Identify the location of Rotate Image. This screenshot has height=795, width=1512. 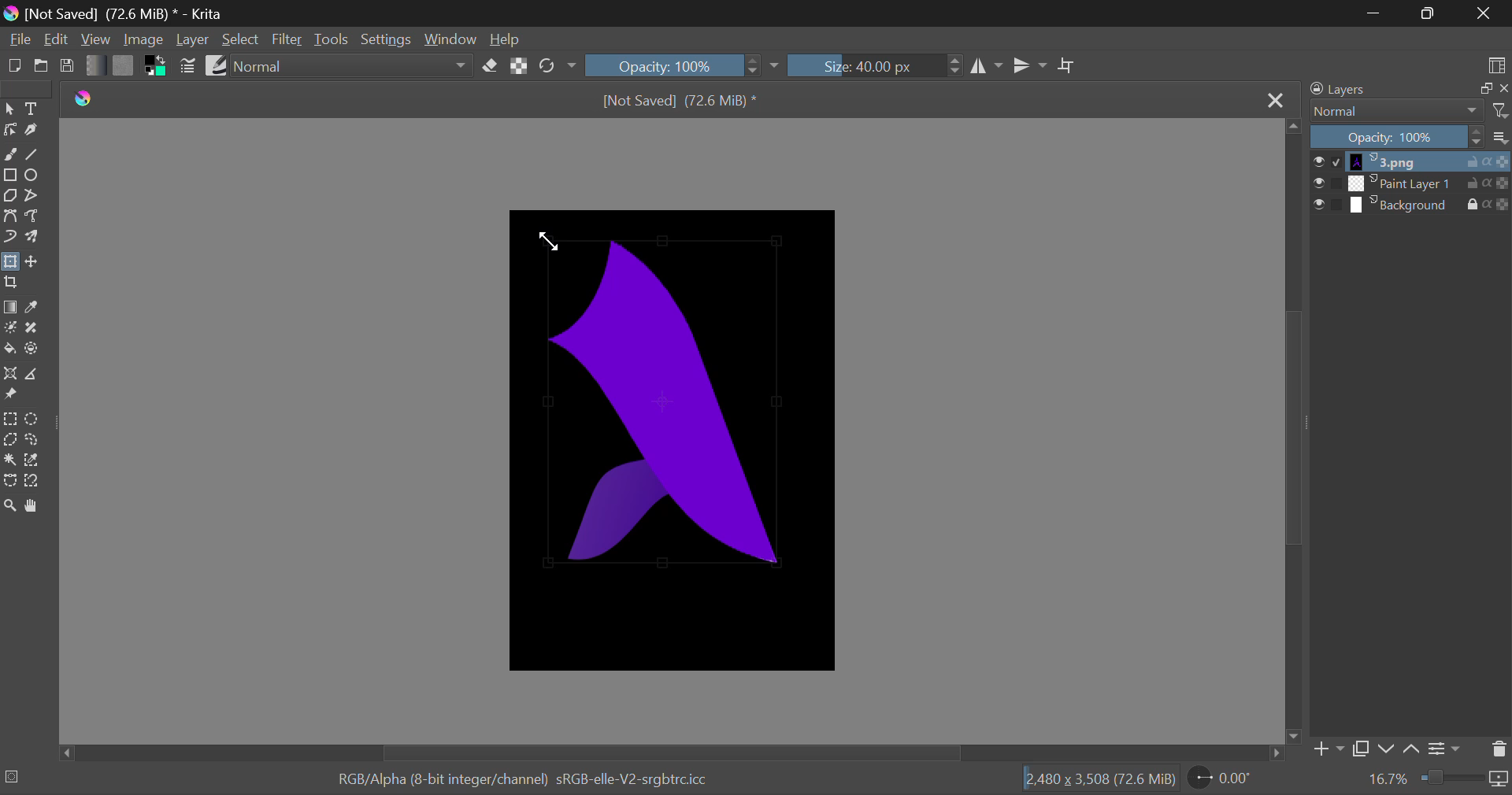
(558, 66).